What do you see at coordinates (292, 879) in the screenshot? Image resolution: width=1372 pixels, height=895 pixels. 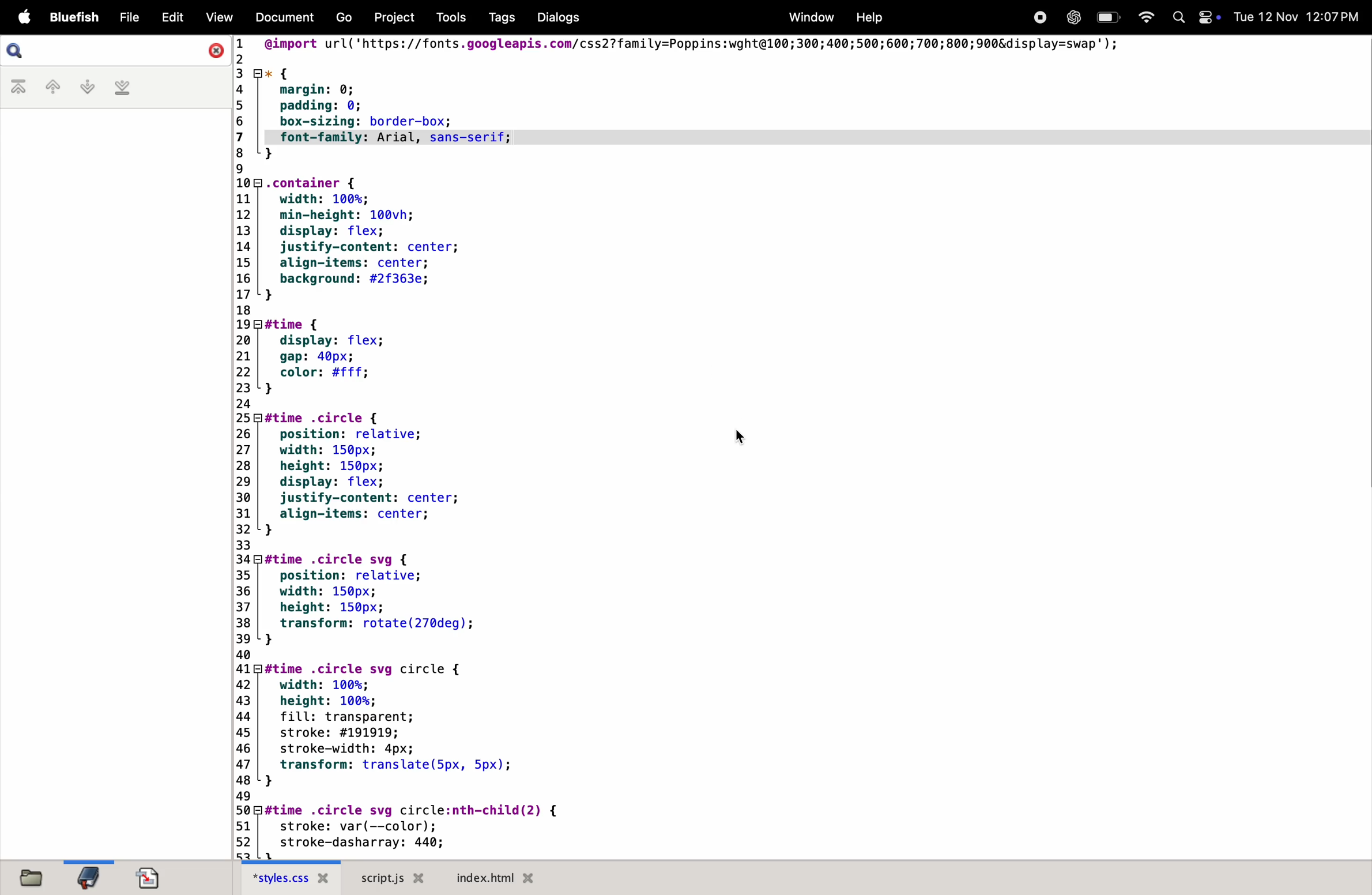 I see `style.css` at bounding box center [292, 879].